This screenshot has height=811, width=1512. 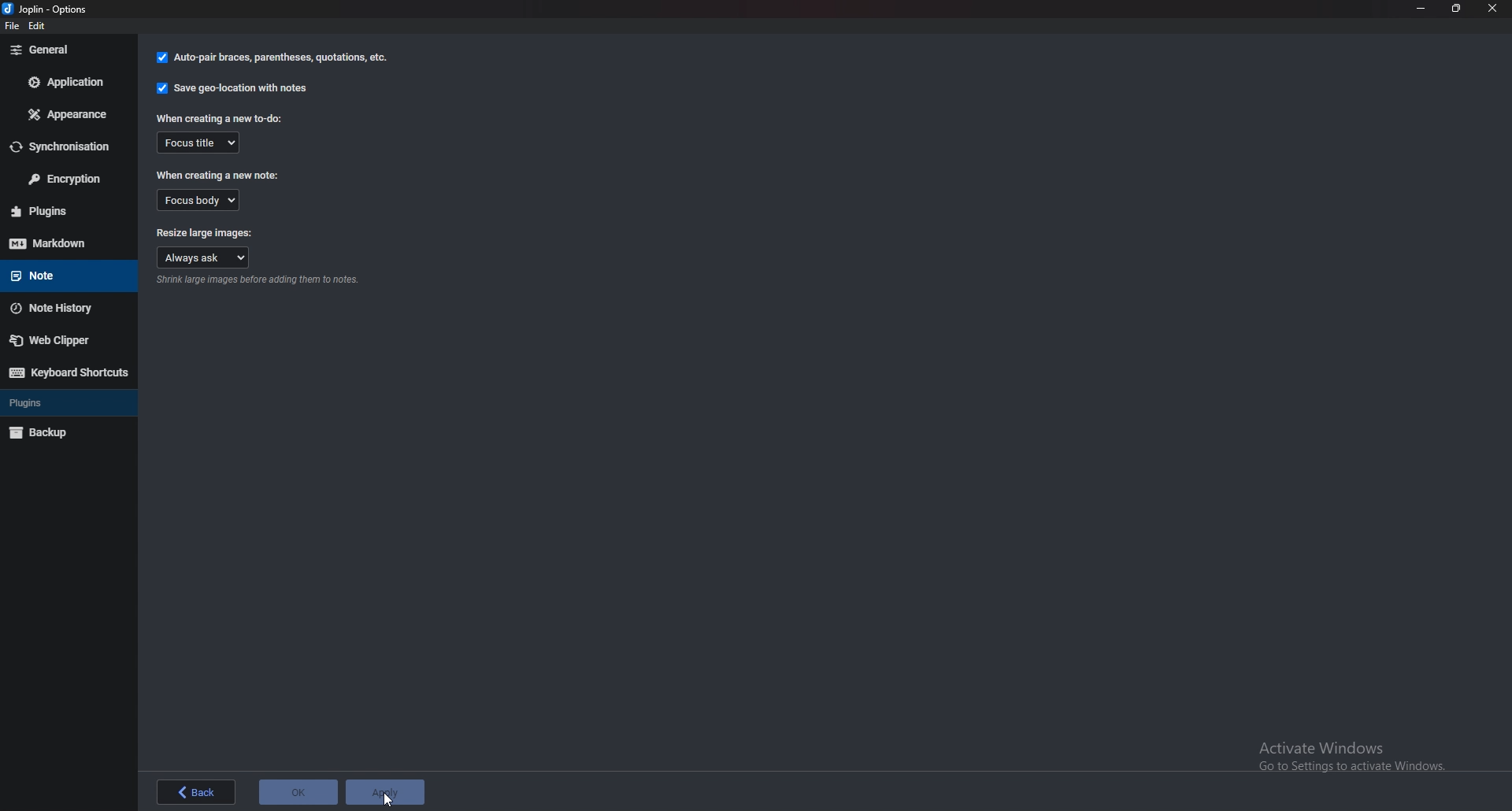 I want to click on Keyboard shortcuts, so click(x=66, y=374).